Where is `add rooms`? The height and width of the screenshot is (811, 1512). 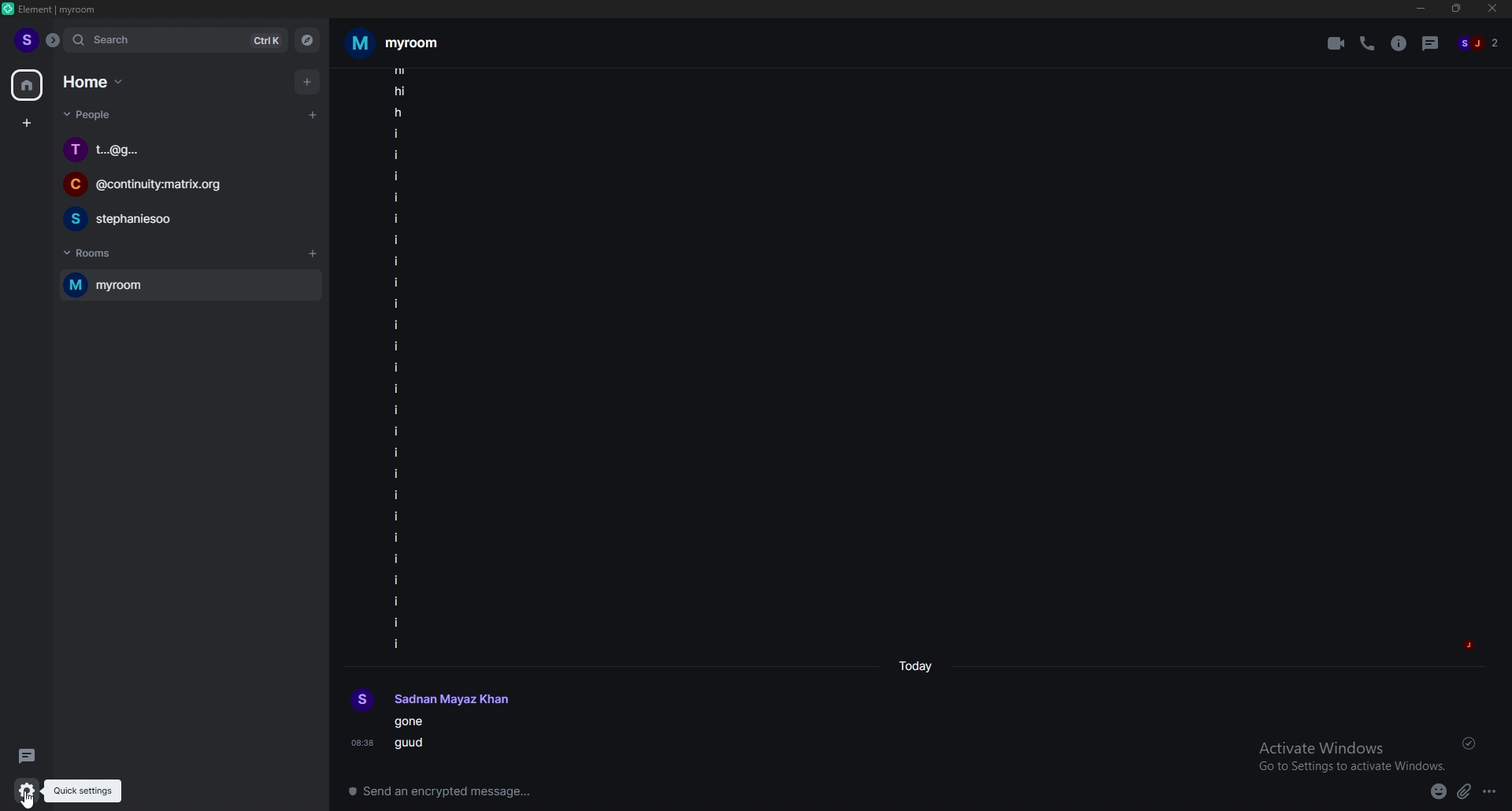
add rooms is located at coordinates (313, 254).